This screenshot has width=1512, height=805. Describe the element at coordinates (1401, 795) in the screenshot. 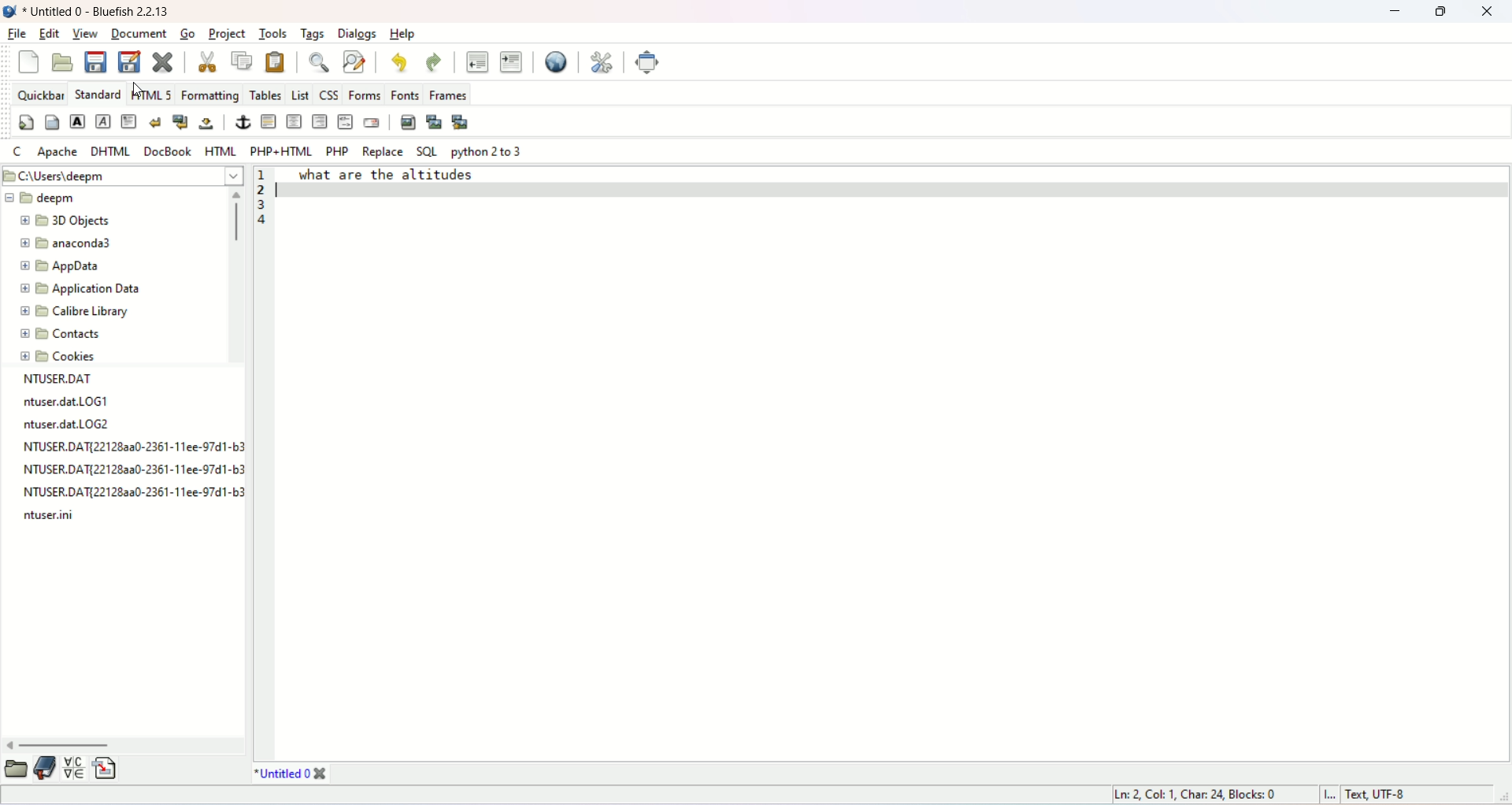

I see `text, UTF-8` at that location.